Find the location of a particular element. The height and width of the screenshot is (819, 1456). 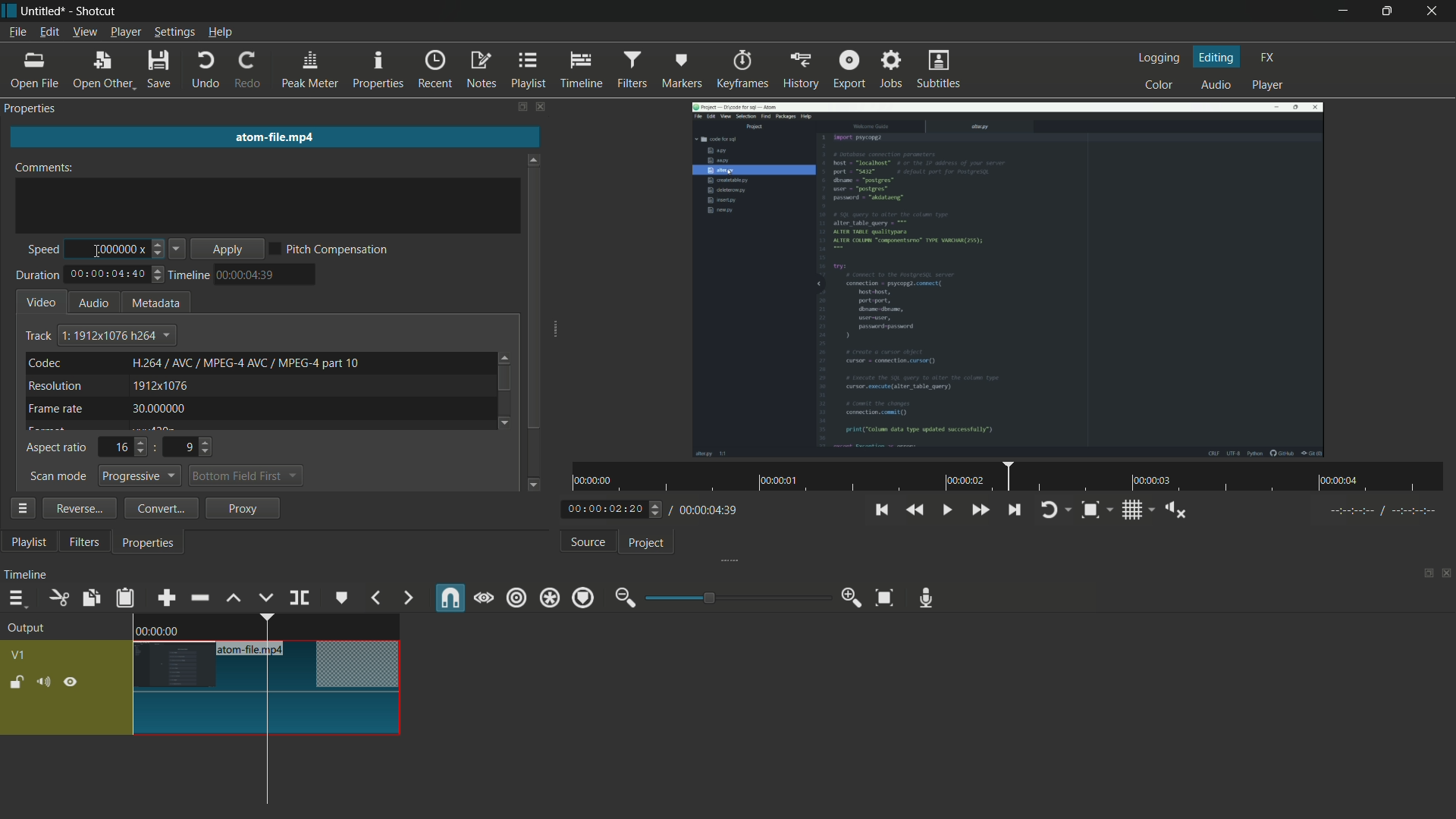

toggle player looping is located at coordinates (1050, 510).